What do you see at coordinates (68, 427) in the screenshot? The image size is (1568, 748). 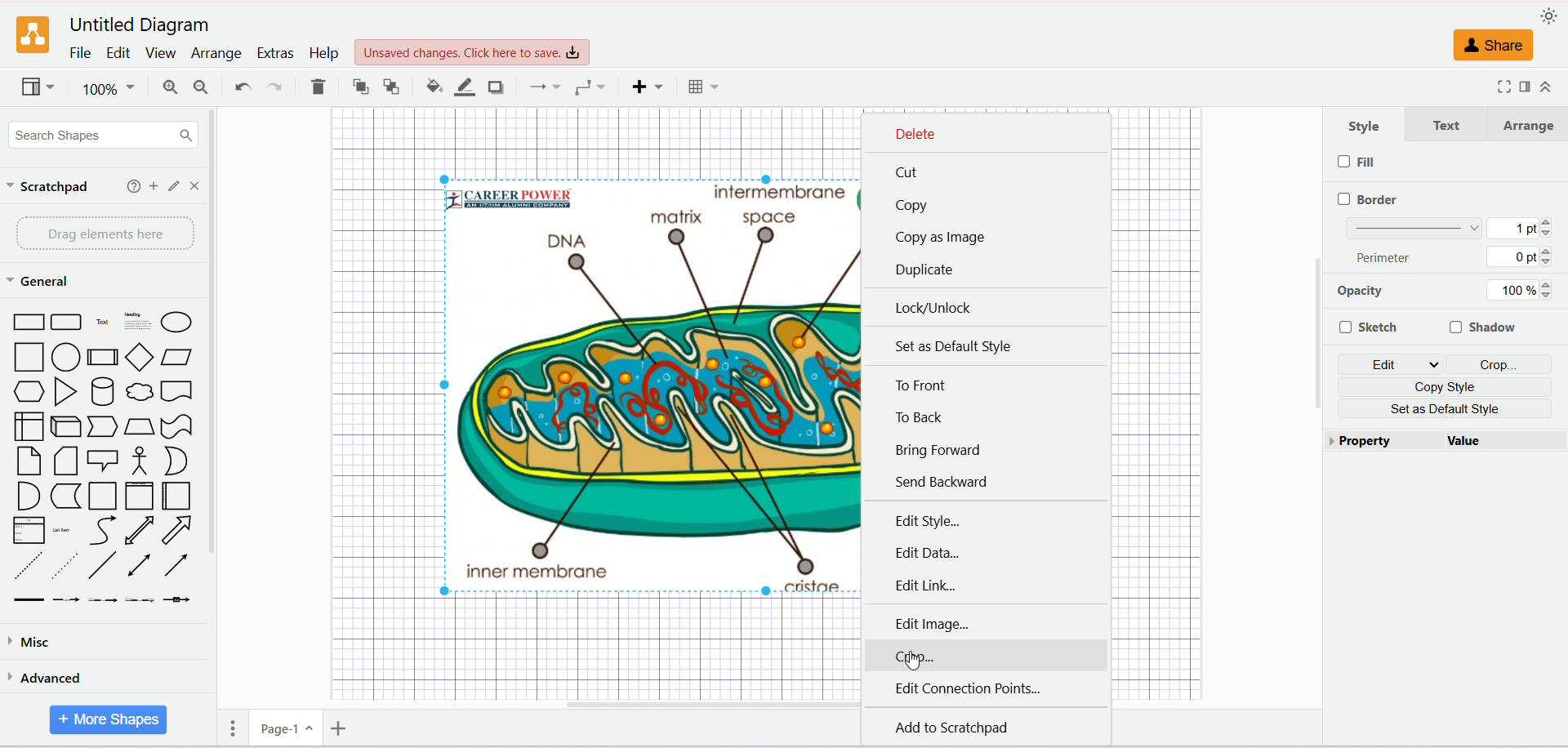 I see `Cube` at bounding box center [68, 427].